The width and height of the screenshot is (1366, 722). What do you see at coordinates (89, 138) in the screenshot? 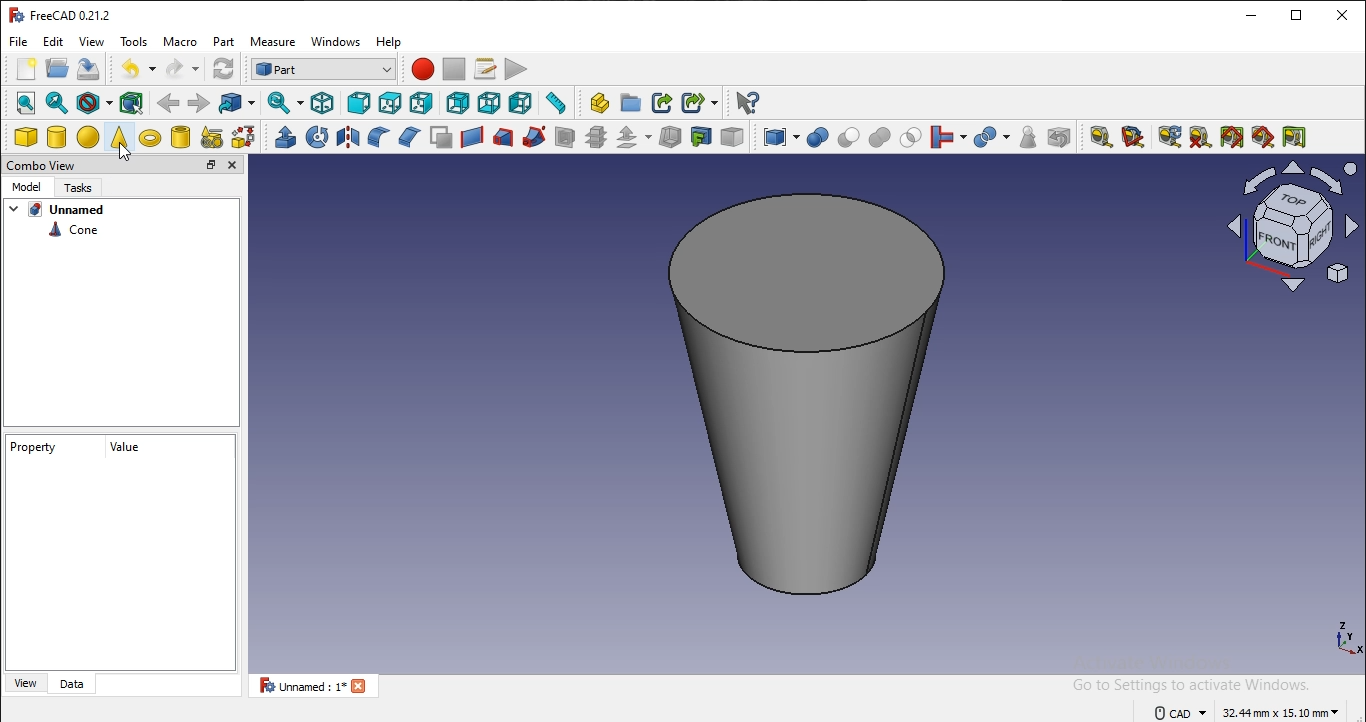
I see `sphere` at bounding box center [89, 138].